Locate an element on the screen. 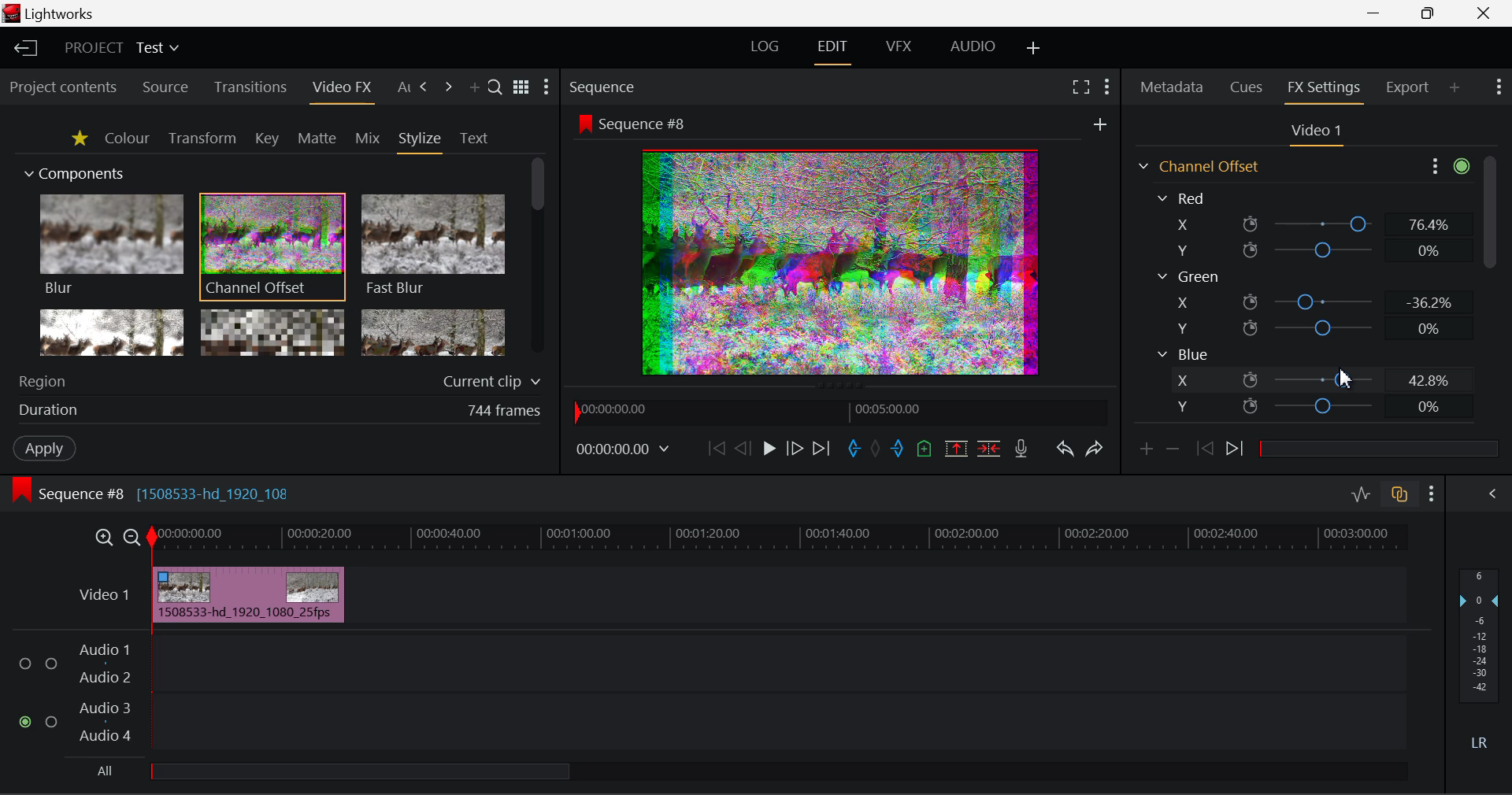 This screenshot has height=795, width=1512. Red is located at coordinates (1184, 197).